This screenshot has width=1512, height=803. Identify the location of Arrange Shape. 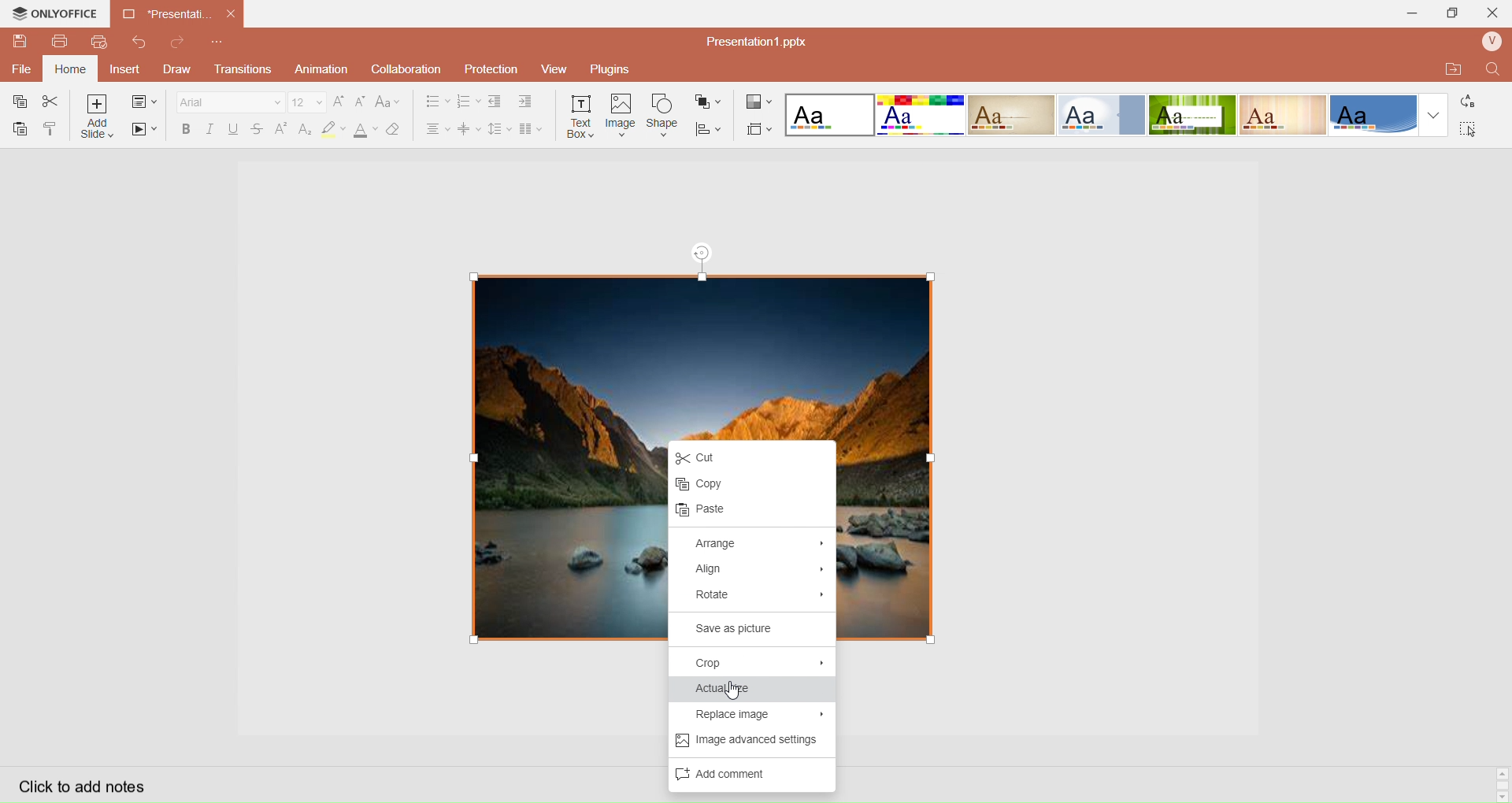
(710, 102).